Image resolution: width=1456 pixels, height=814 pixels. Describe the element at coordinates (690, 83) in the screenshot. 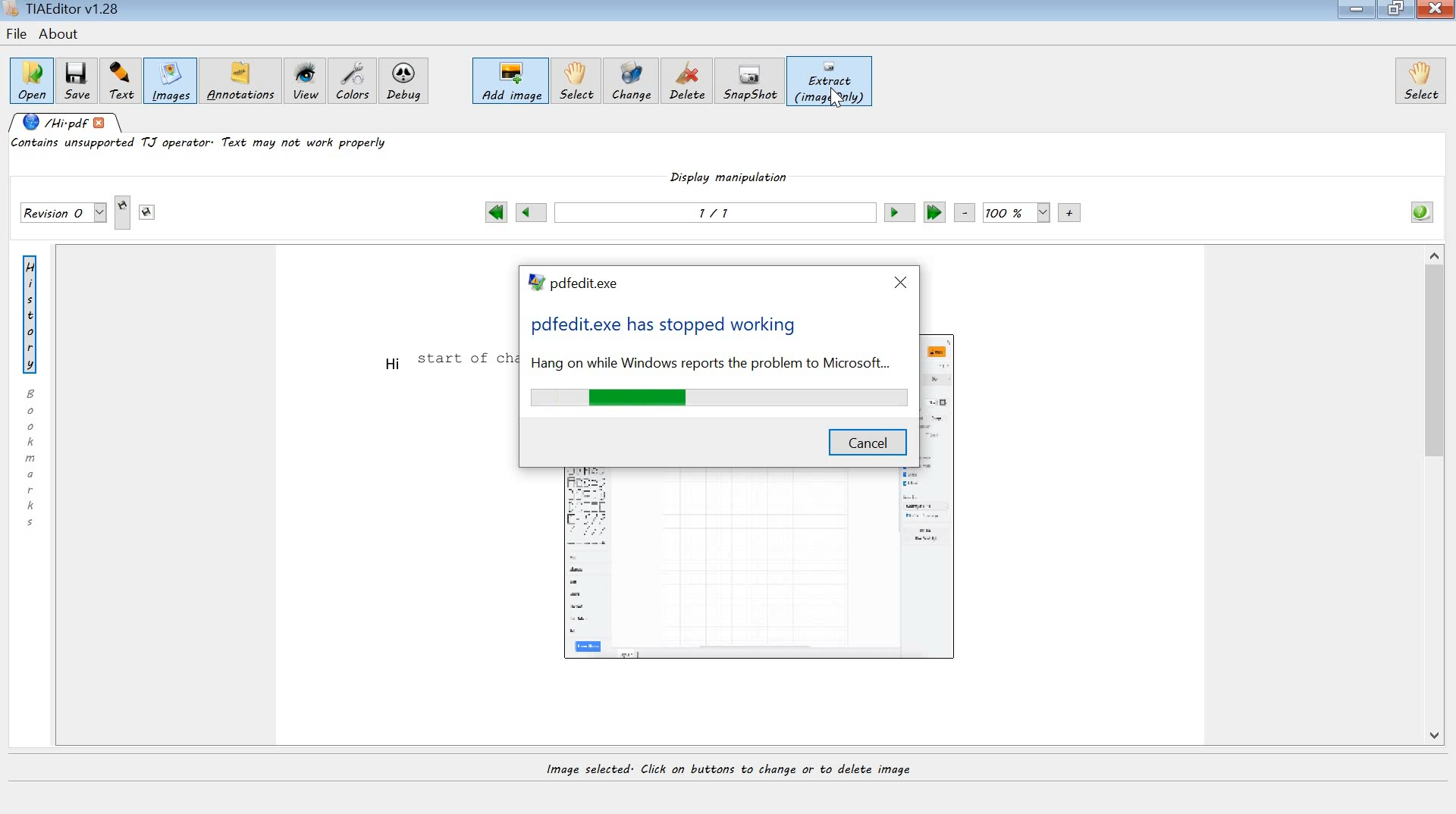

I see `delete` at that location.